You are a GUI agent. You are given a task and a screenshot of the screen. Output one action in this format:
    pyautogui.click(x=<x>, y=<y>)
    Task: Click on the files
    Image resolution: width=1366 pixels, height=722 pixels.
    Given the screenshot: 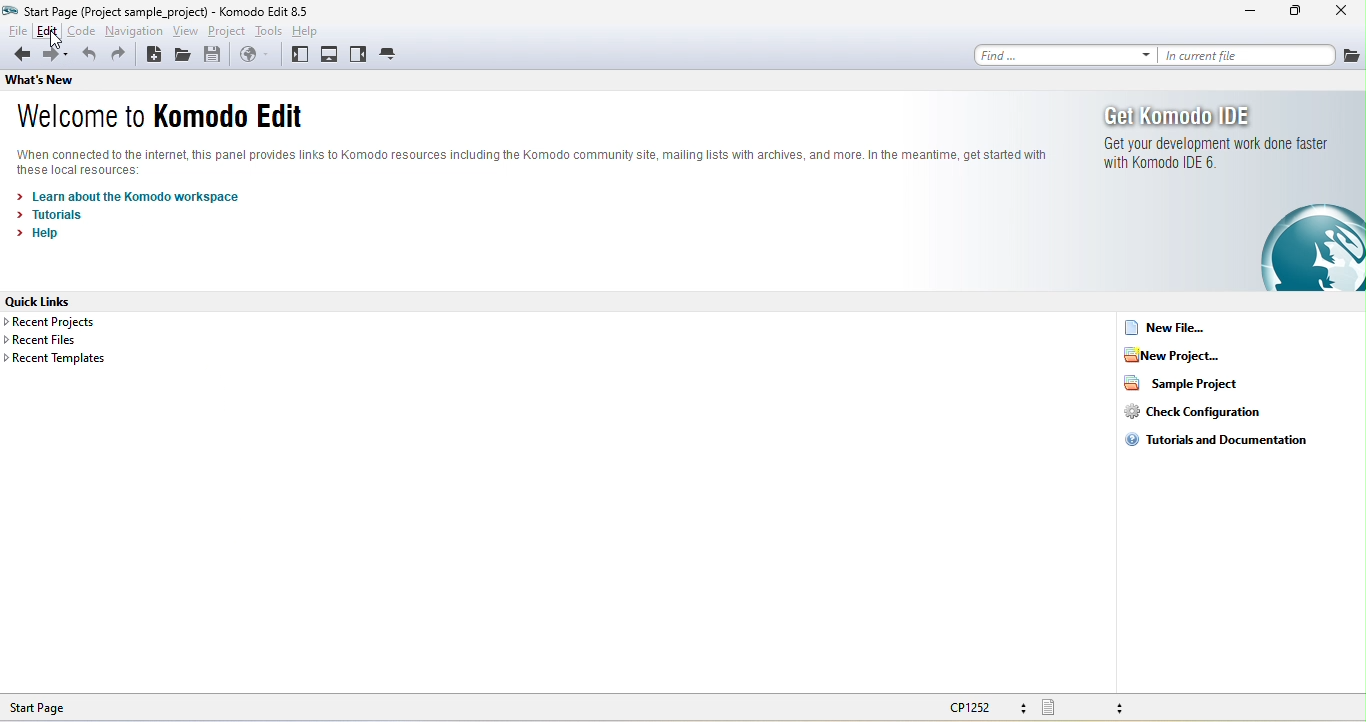 What is the action you would take?
    pyautogui.click(x=1352, y=56)
    